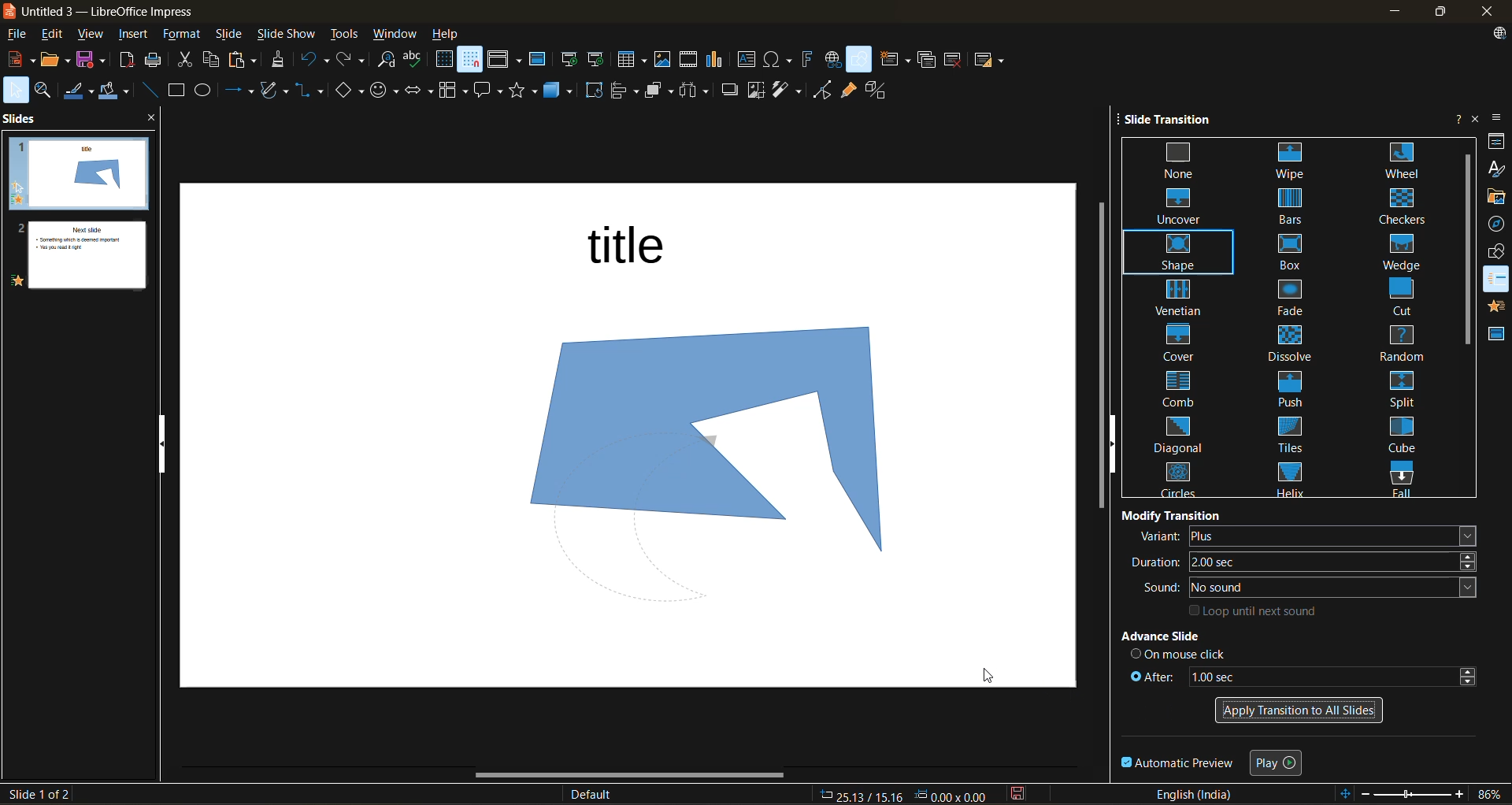  I want to click on arrange, so click(660, 92).